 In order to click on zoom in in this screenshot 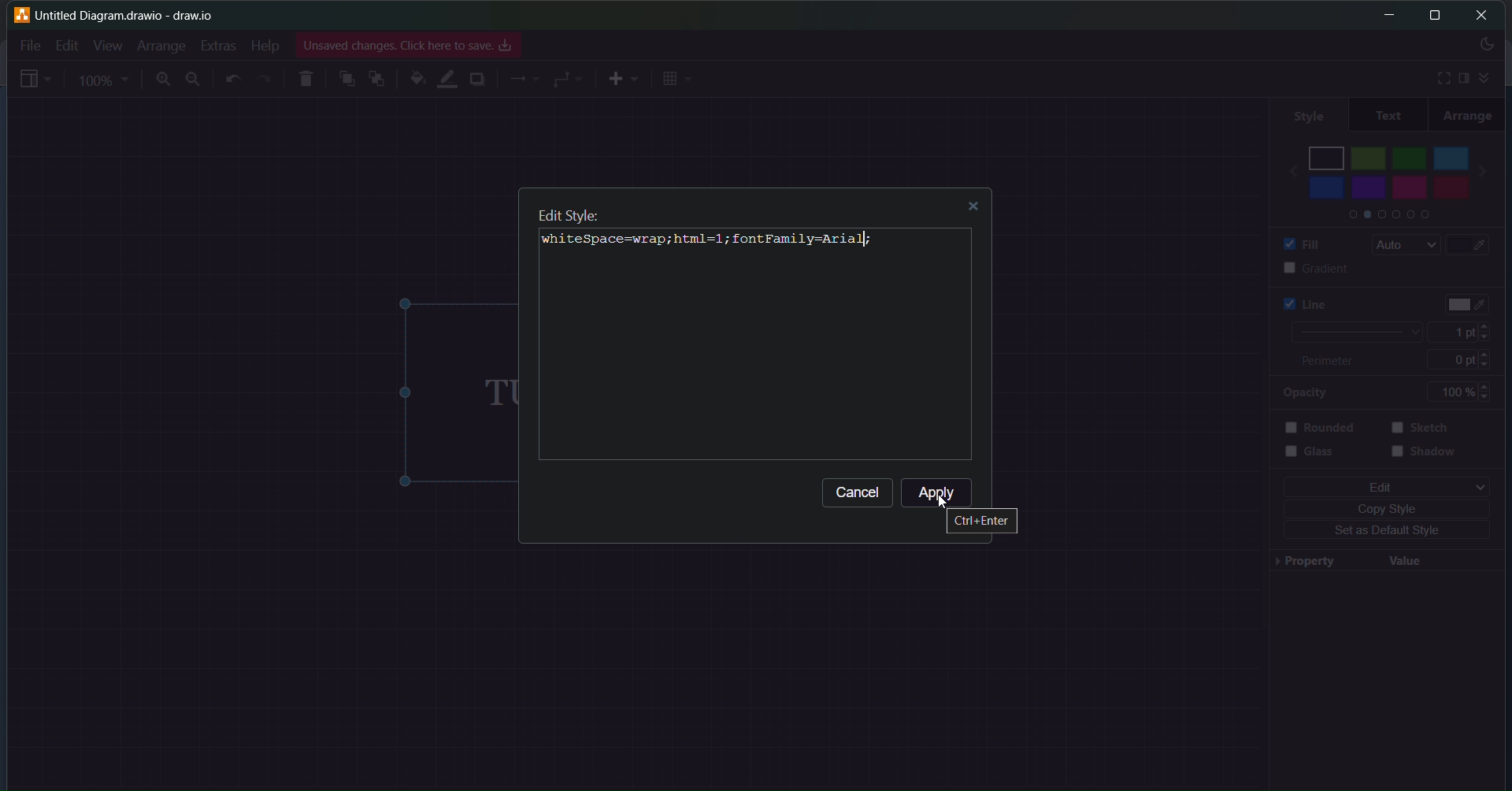, I will do `click(161, 80)`.